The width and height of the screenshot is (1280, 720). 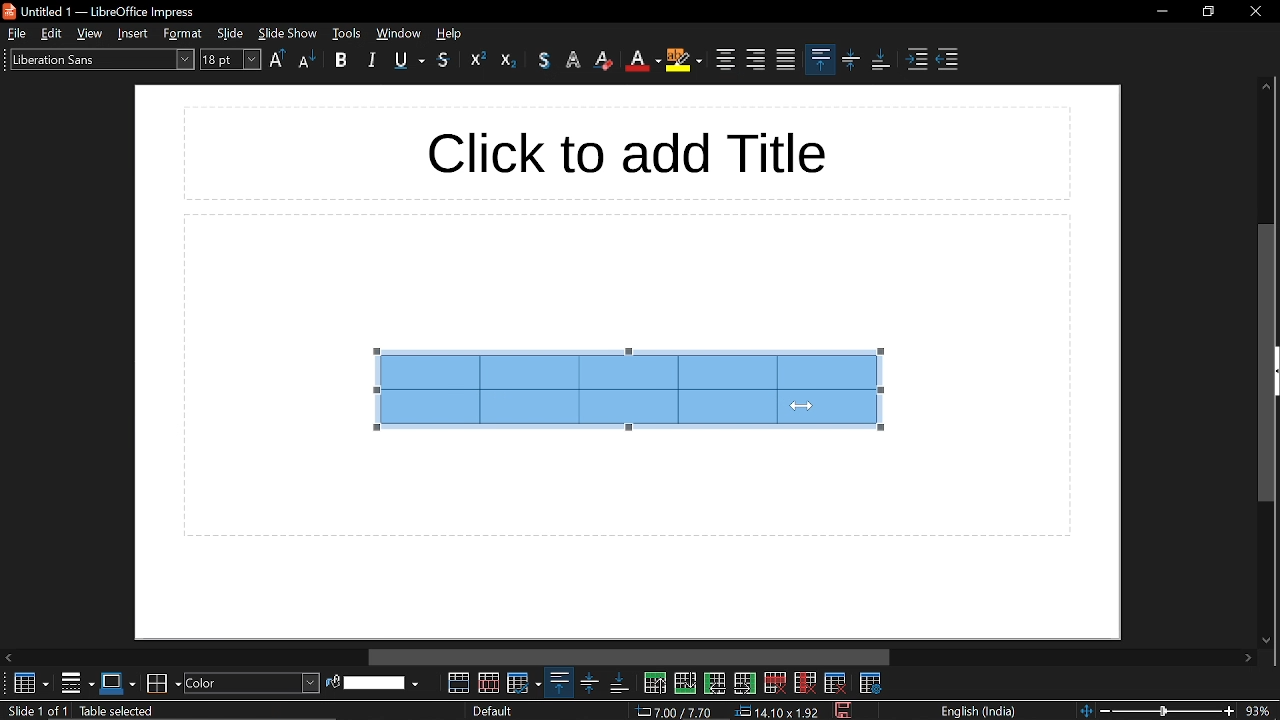 What do you see at coordinates (182, 34) in the screenshot?
I see `style` at bounding box center [182, 34].